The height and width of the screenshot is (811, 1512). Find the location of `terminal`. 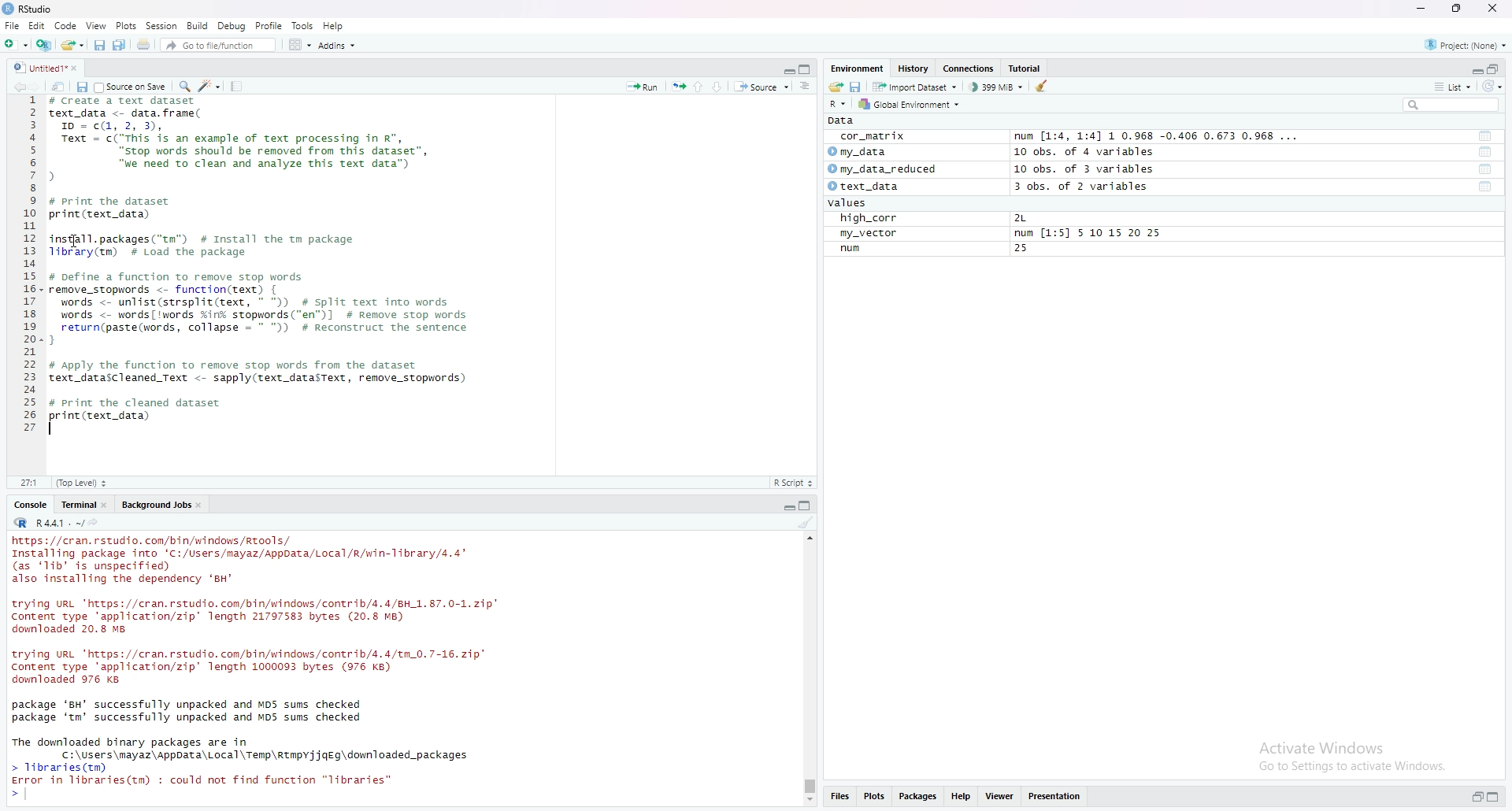

terminal is located at coordinates (83, 504).